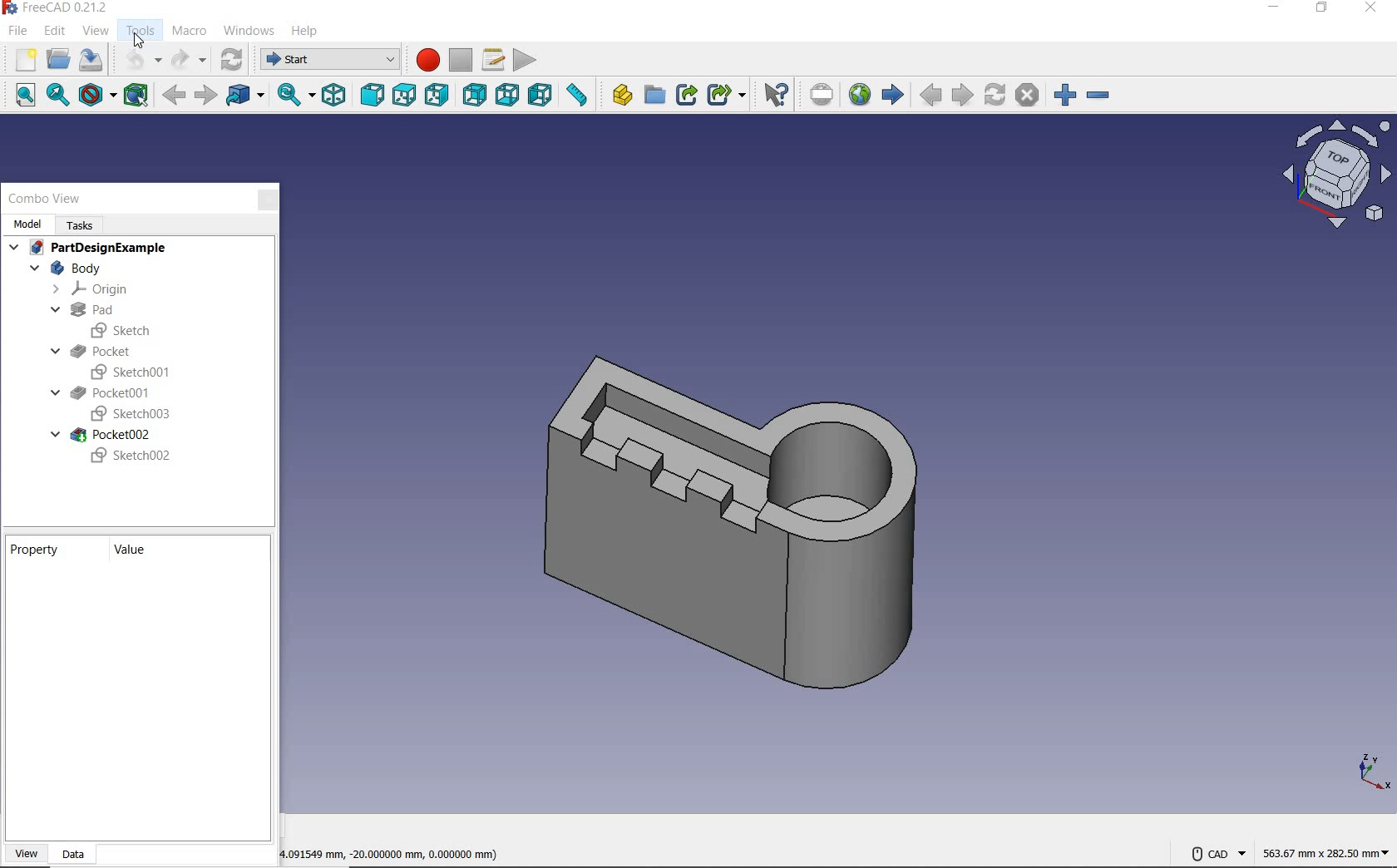 This screenshot has width=1397, height=868. What do you see at coordinates (57, 9) in the screenshot?
I see `FreeCAD 0.21.2 (Application name)` at bounding box center [57, 9].